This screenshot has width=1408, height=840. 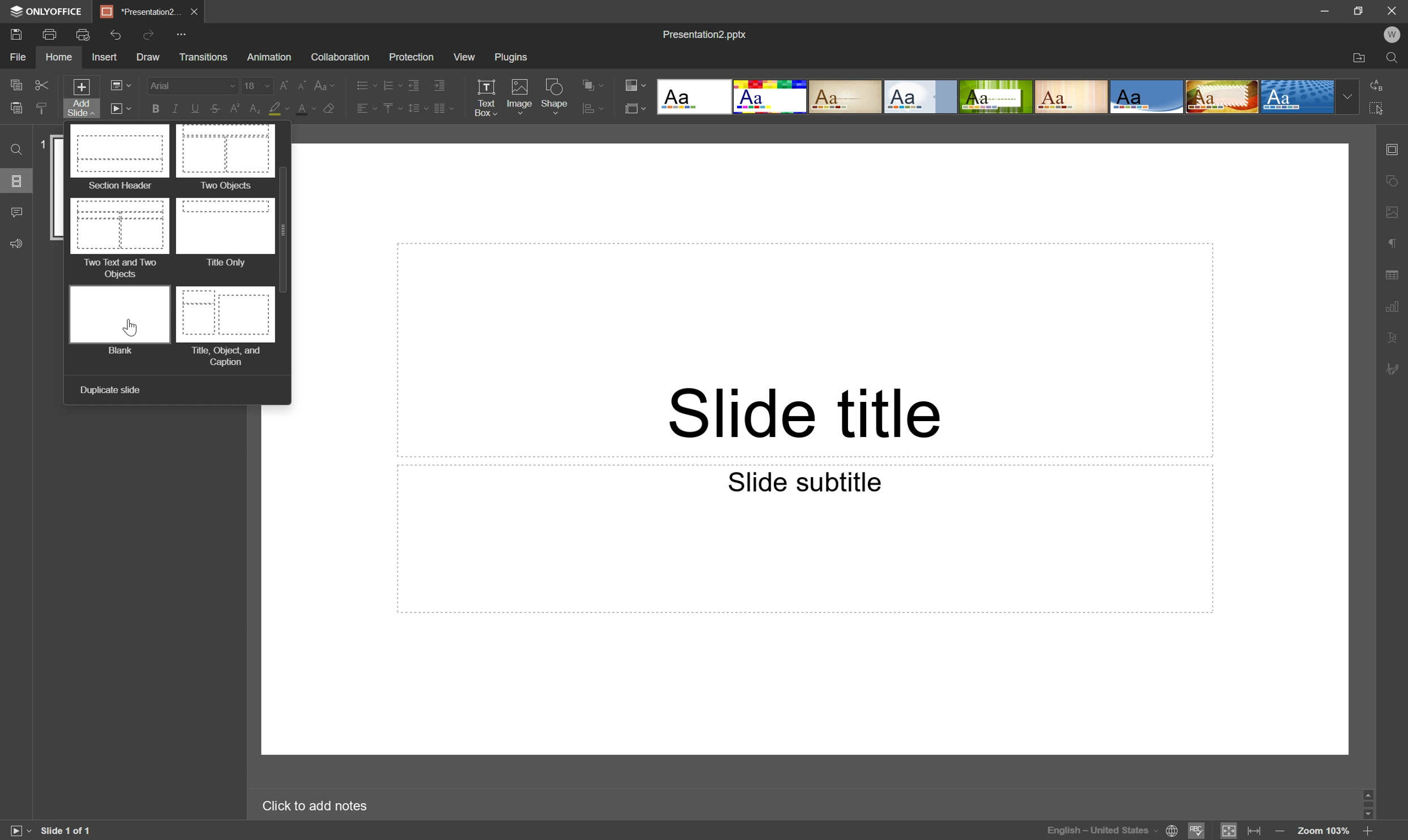 I want to click on Customize quick access toolbar, so click(x=184, y=33).